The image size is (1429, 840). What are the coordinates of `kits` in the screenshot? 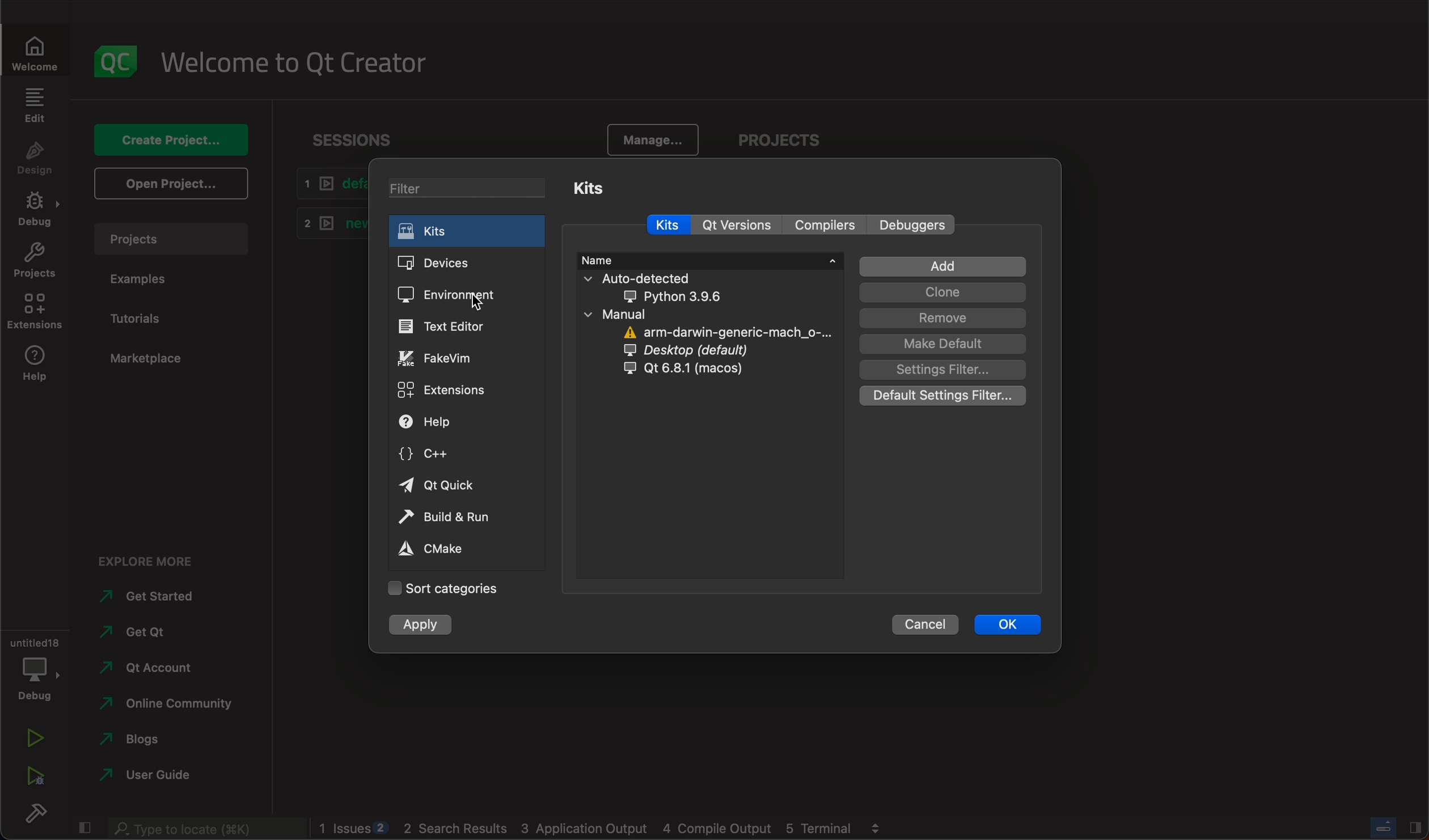 It's located at (587, 187).